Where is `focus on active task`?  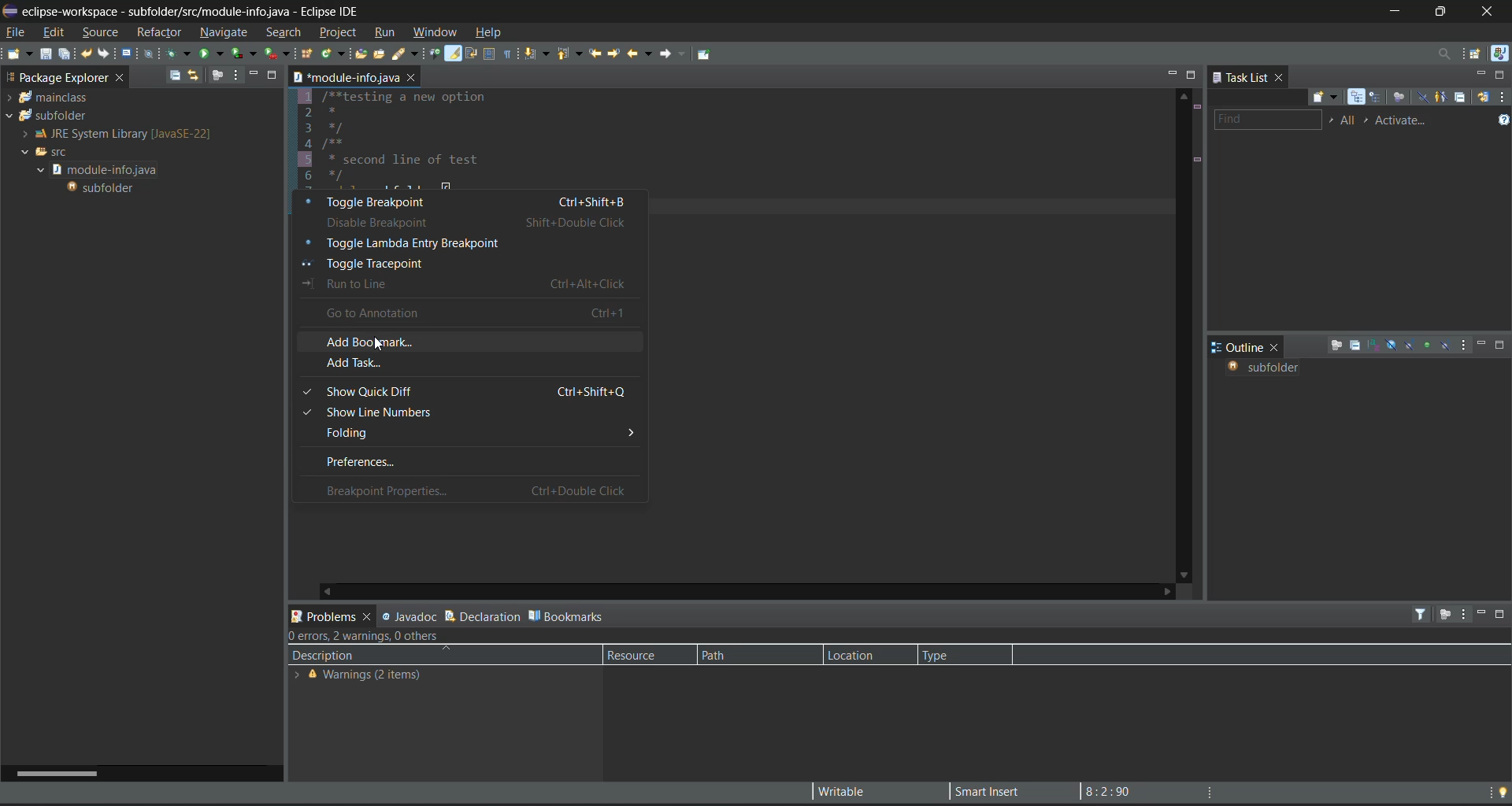
focus on active task is located at coordinates (1443, 616).